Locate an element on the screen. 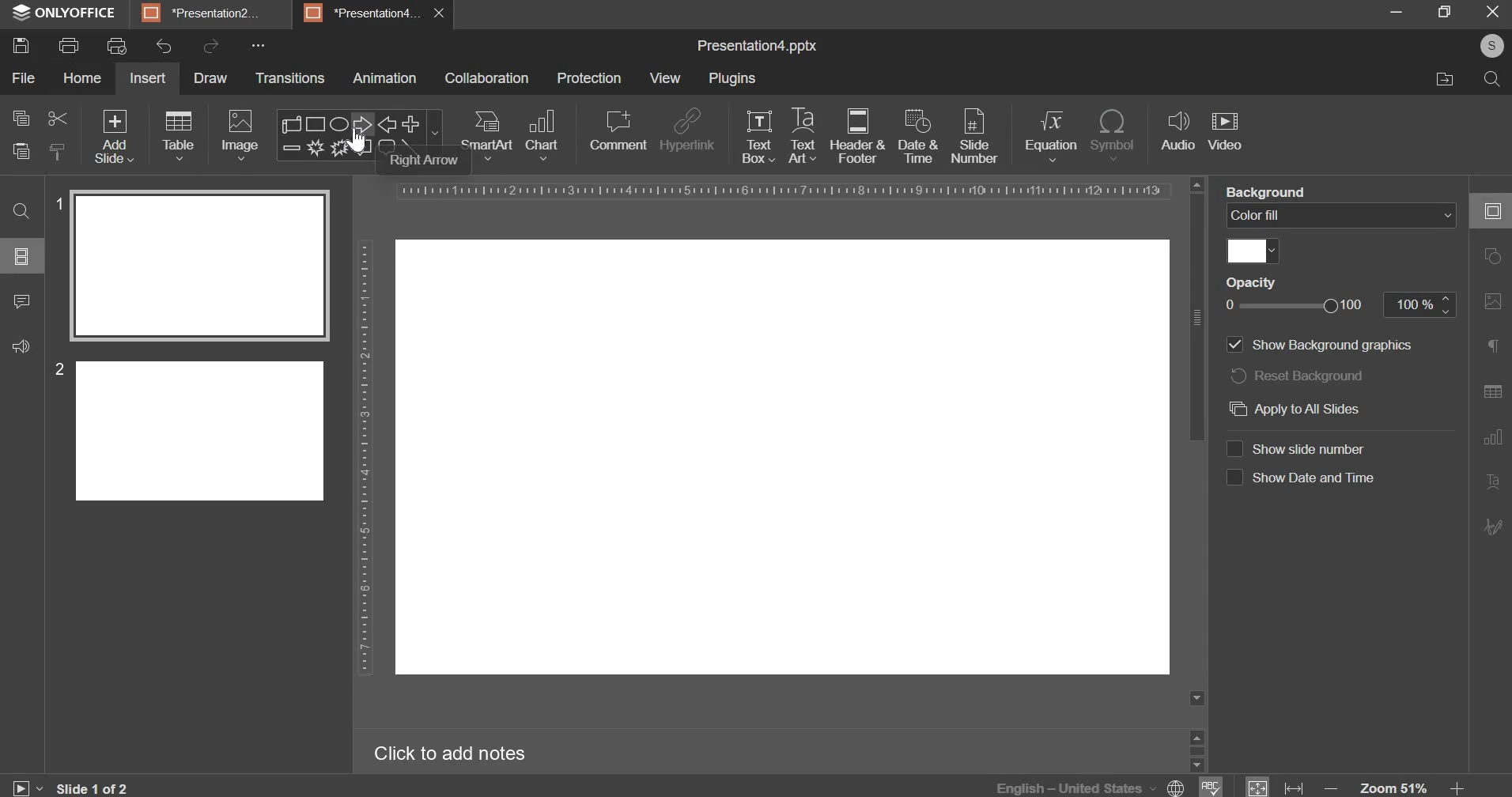 The image size is (1512, 797). plugins is located at coordinates (731, 79).